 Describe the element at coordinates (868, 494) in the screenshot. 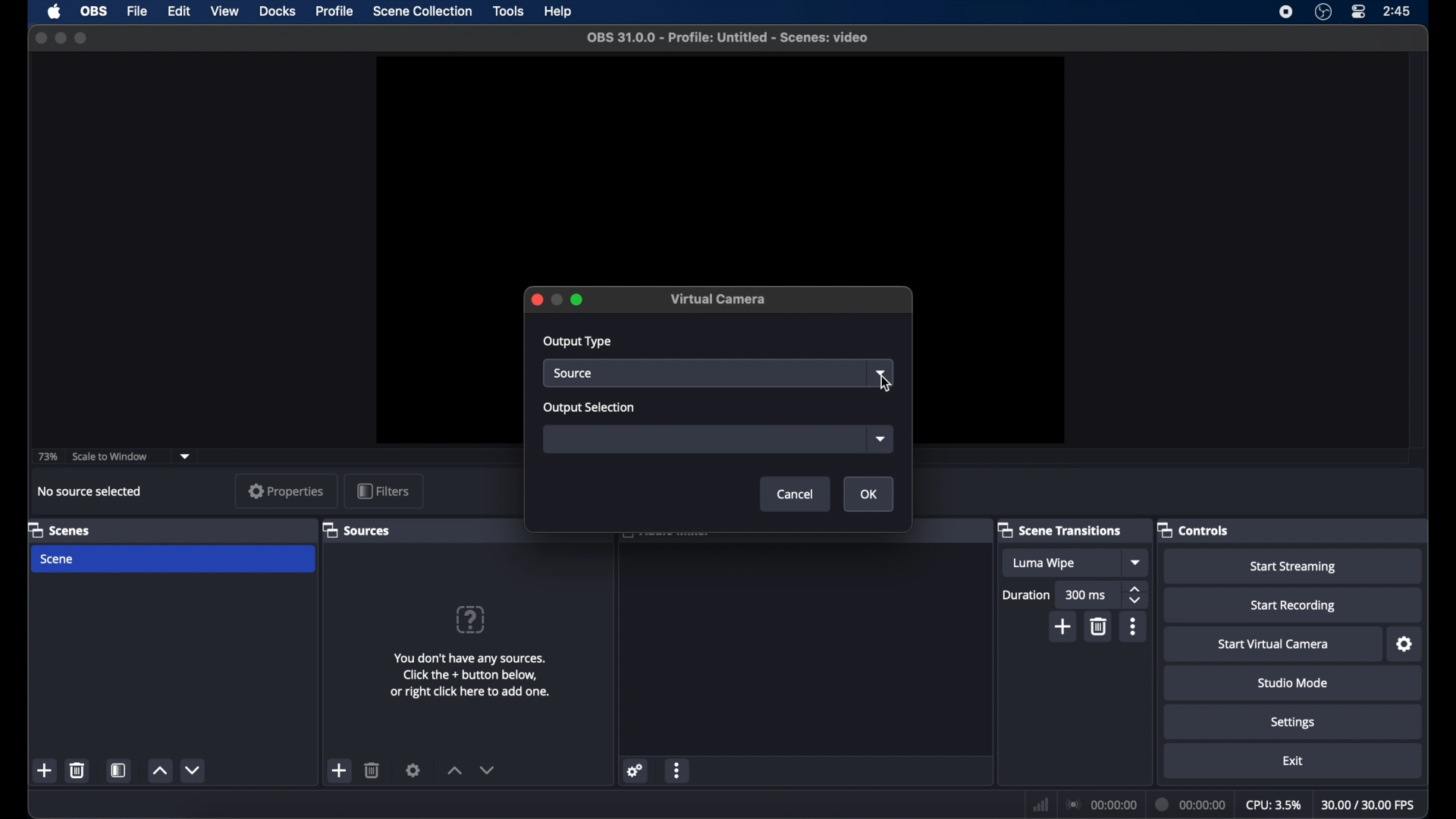

I see `ok` at that location.